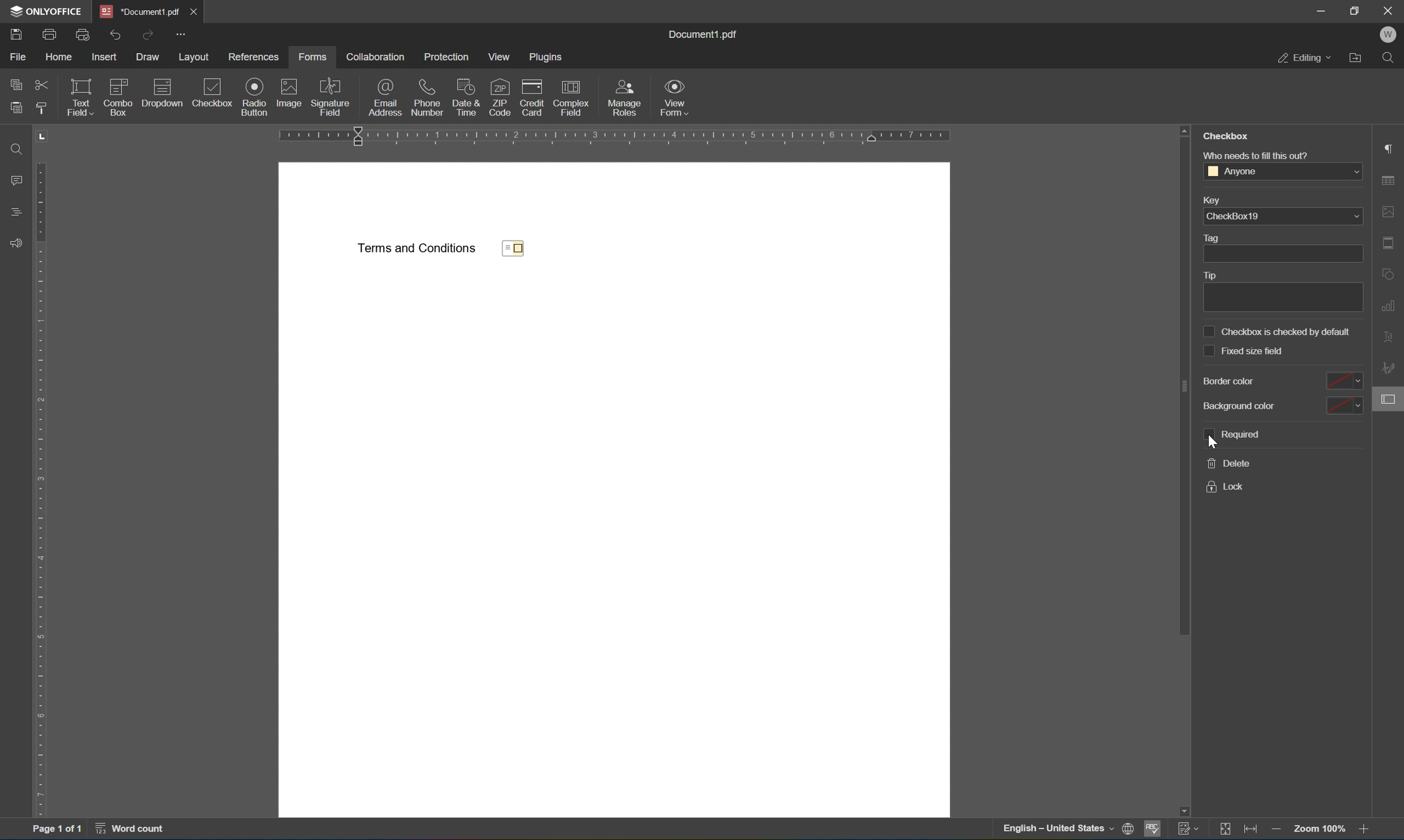 This screenshot has width=1404, height=840. Describe the element at coordinates (1356, 58) in the screenshot. I see `open file location` at that location.